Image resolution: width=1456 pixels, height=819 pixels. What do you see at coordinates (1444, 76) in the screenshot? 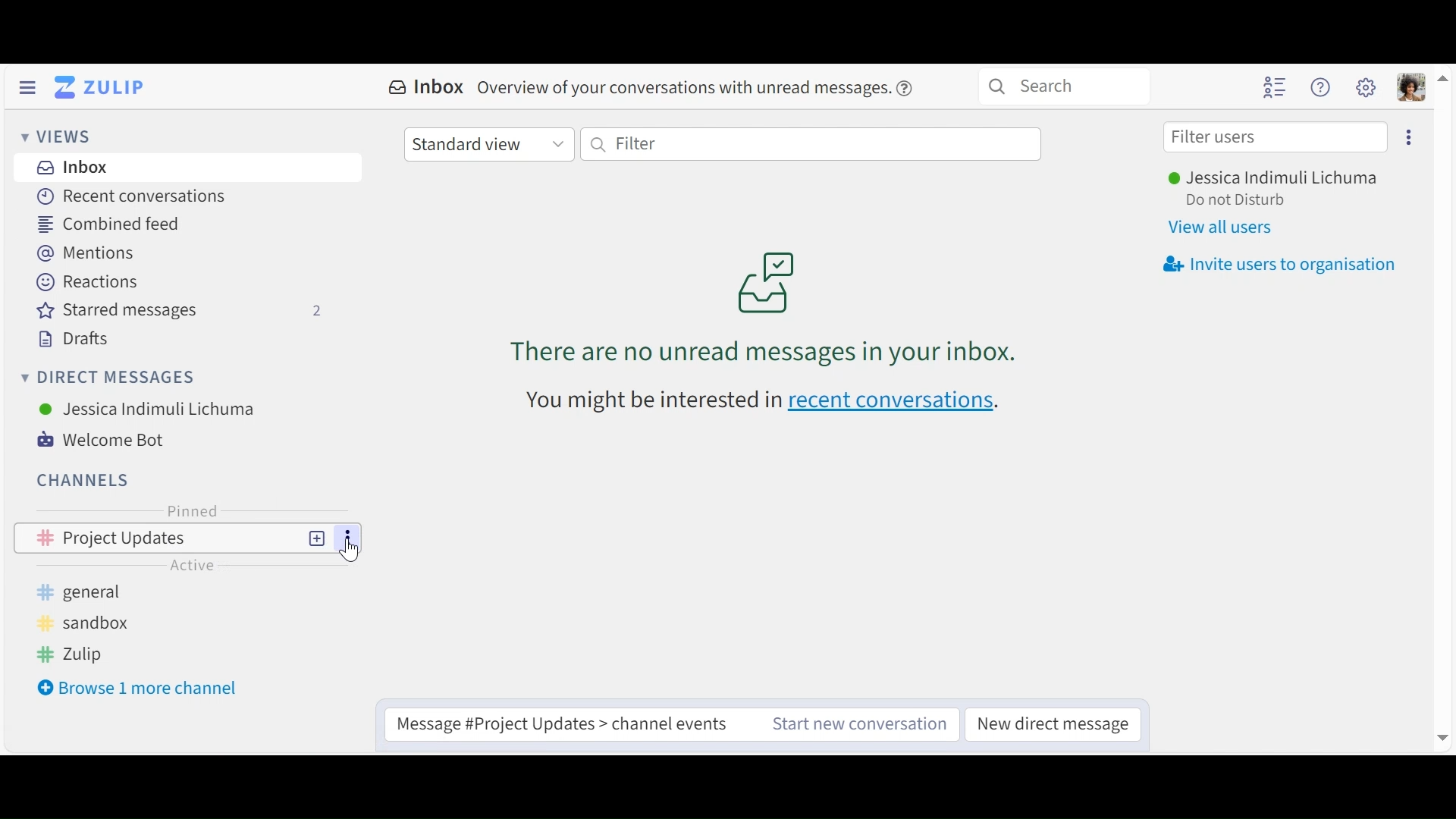
I see `Up` at bounding box center [1444, 76].